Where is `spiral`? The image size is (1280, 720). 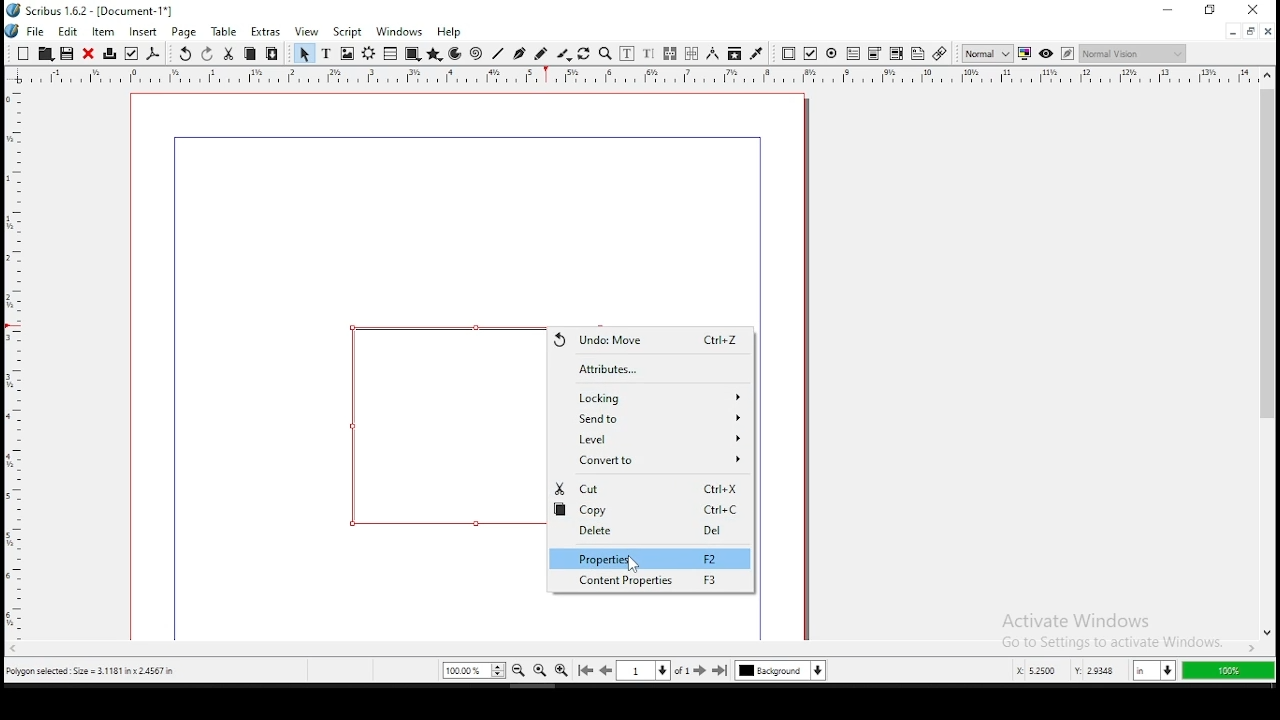
spiral is located at coordinates (476, 54).